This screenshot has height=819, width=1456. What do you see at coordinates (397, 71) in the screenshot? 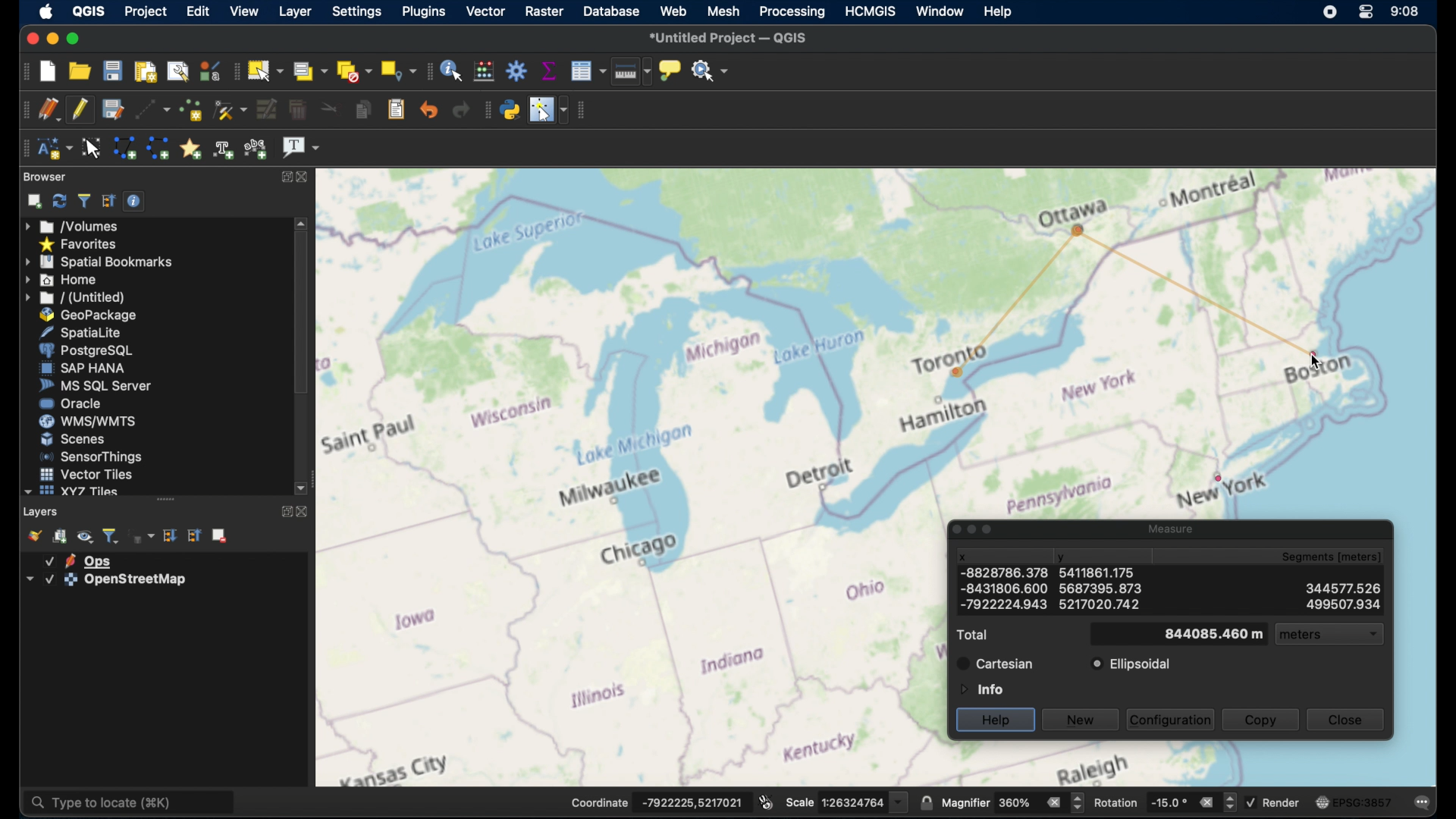
I see `select by location` at bounding box center [397, 71].